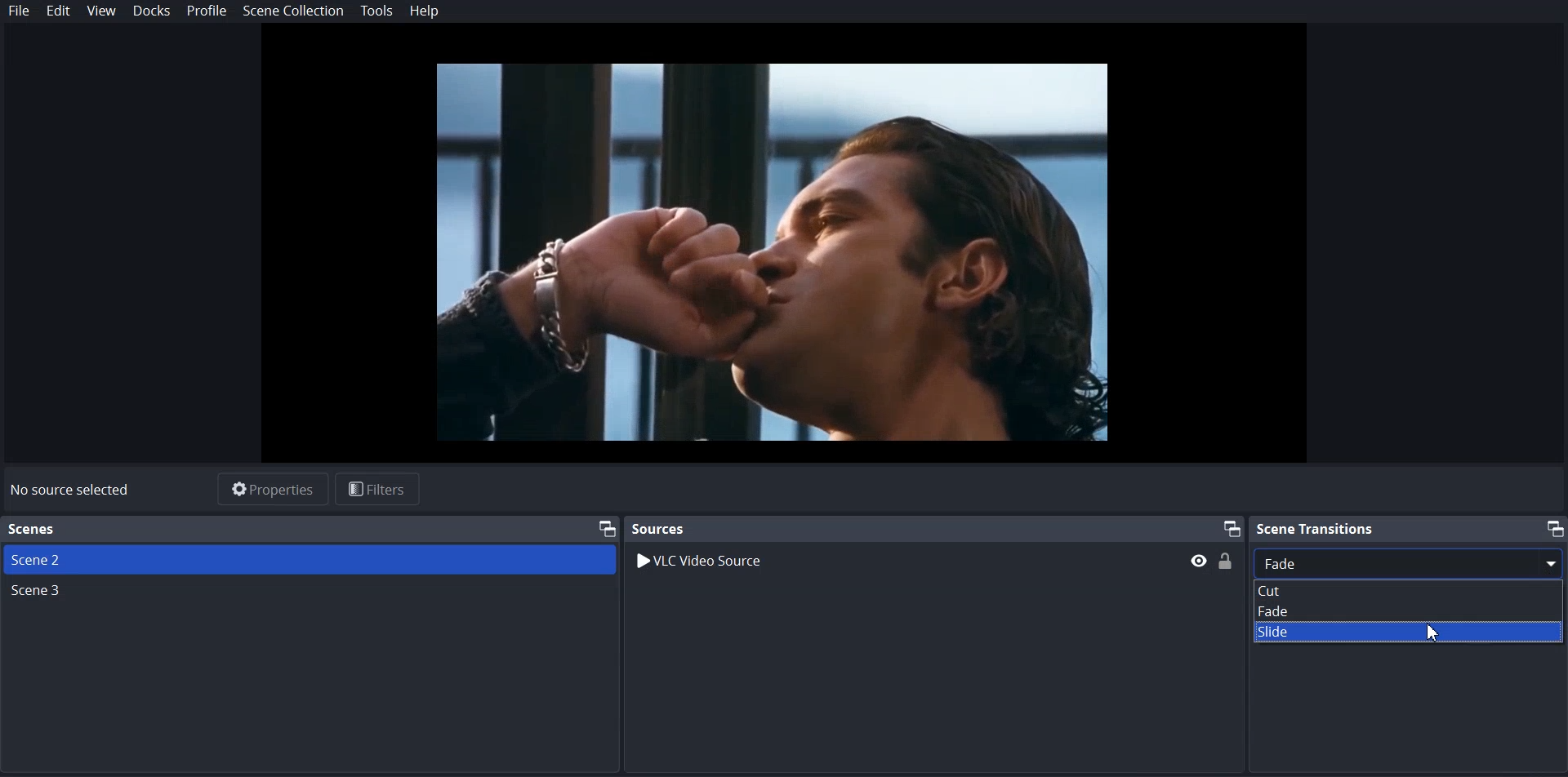  What do you see at coordinates (1411, 590) in the screenshot?
I see `Cut` at bounding box center [1411, 590].